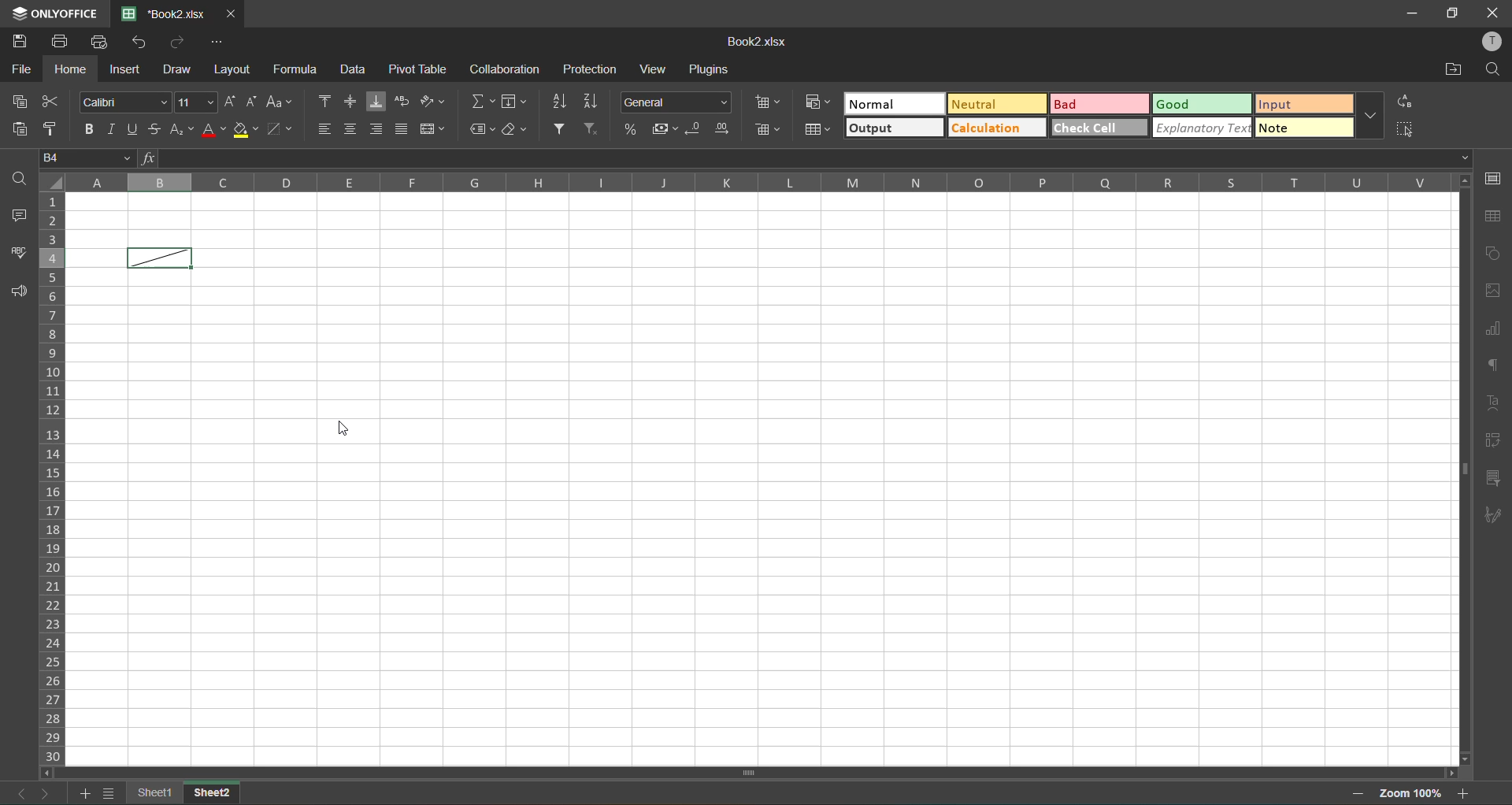 Image resolution: width=1512 pixels, height=805 pixels. Describe the element at coordinates (565, 102) in the screenshot. I see `sort ascending` at that location.